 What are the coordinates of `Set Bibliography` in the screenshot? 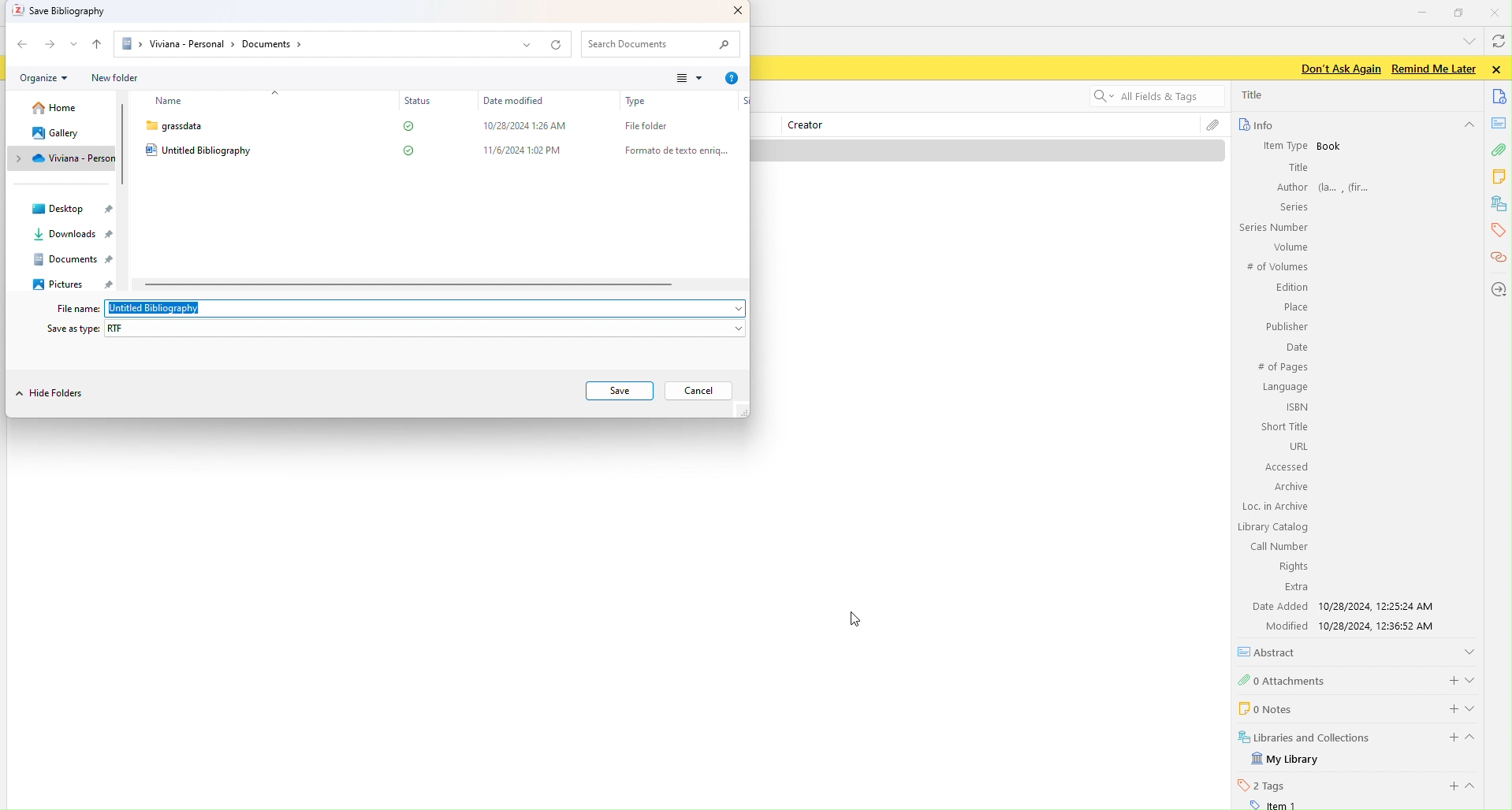 It's located at (64, 12).